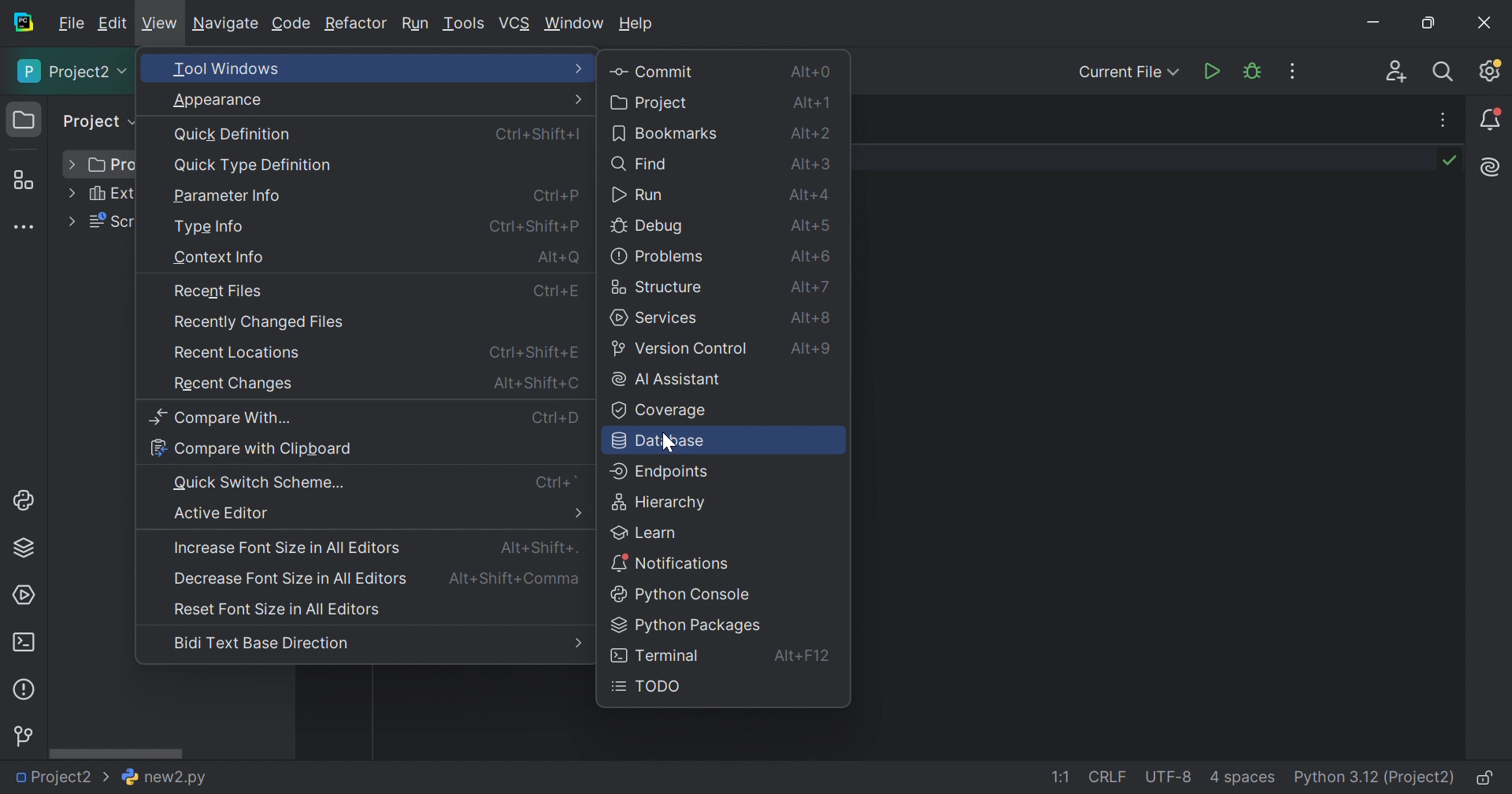  What do you see at coordinates (665, 135) in the screenshot?
I see `Bookmarks` at bounding box center [665, 135].